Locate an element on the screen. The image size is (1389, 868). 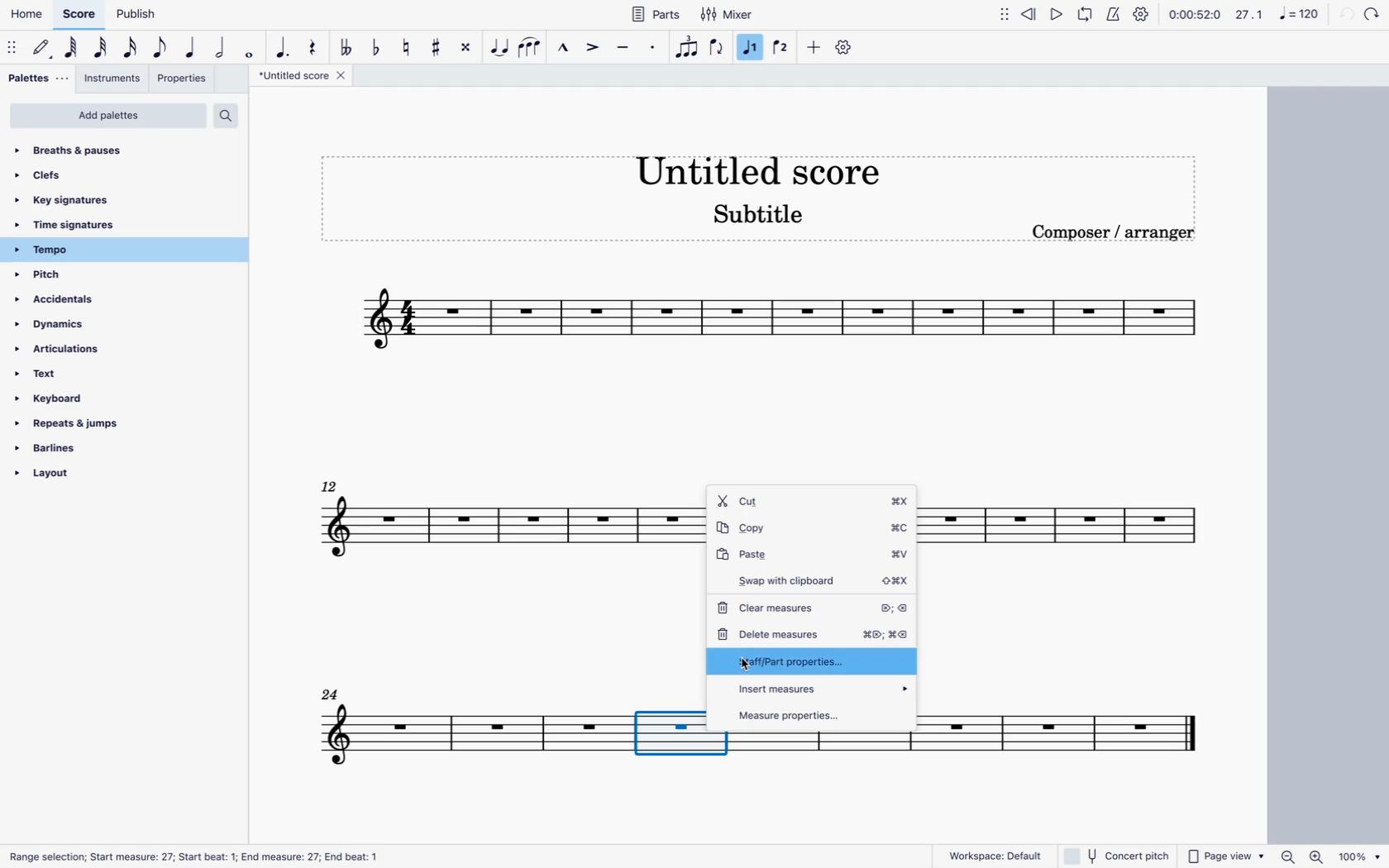
clear measures is located at coordinates (814, 608).